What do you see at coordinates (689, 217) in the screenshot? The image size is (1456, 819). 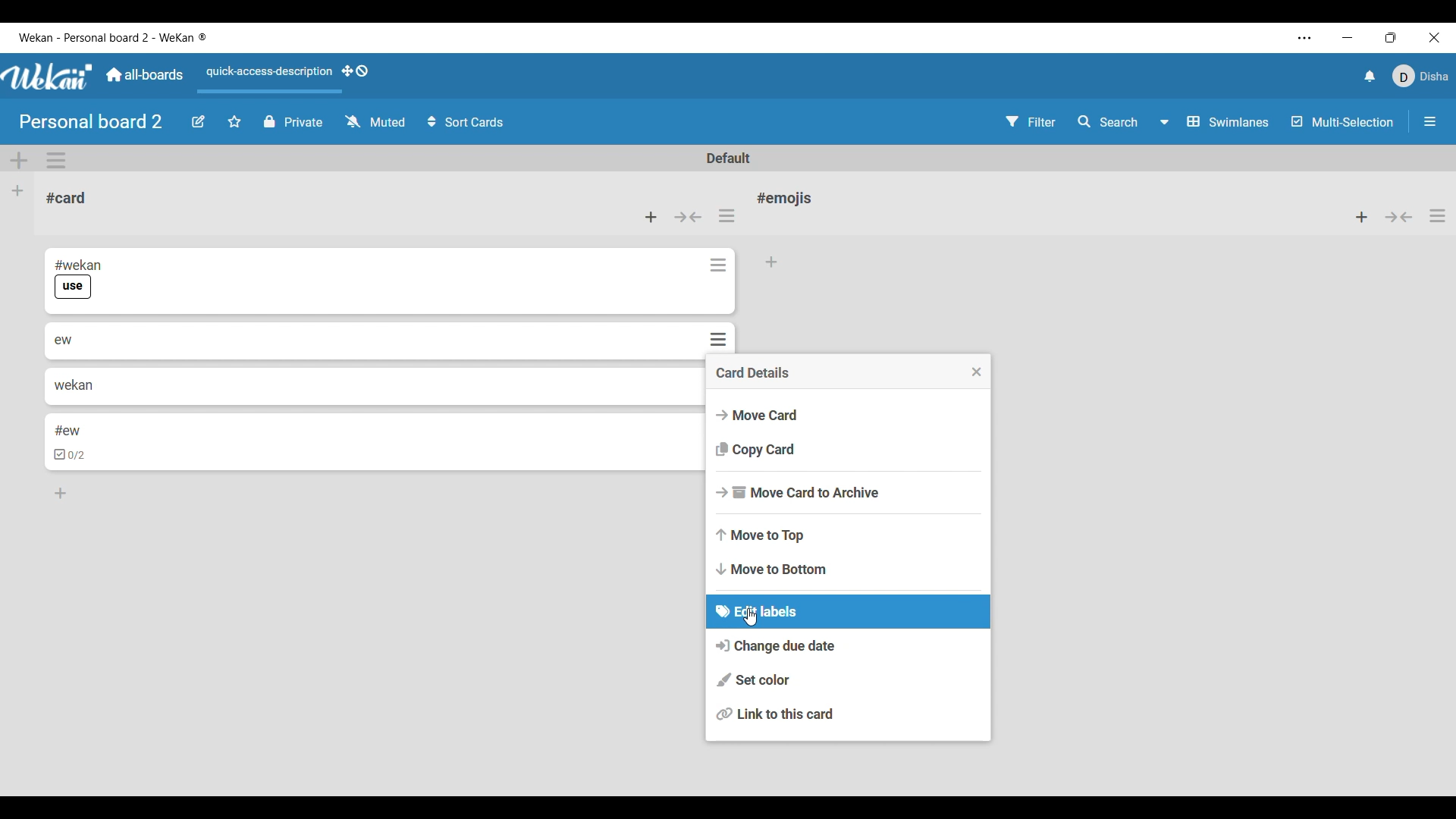 I see `Collapse` at bounding box center [689, 217].